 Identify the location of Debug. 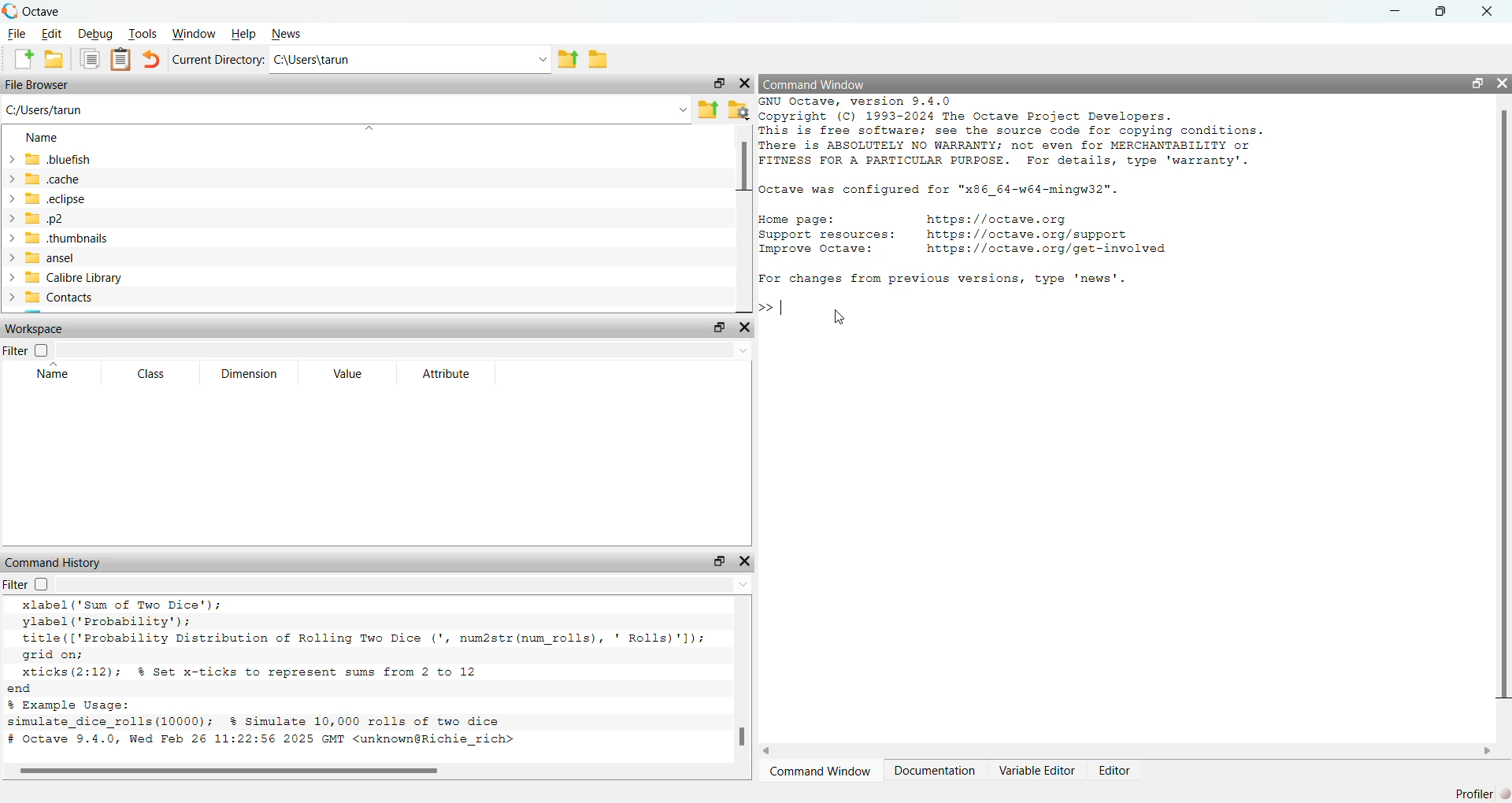
(95, 34).